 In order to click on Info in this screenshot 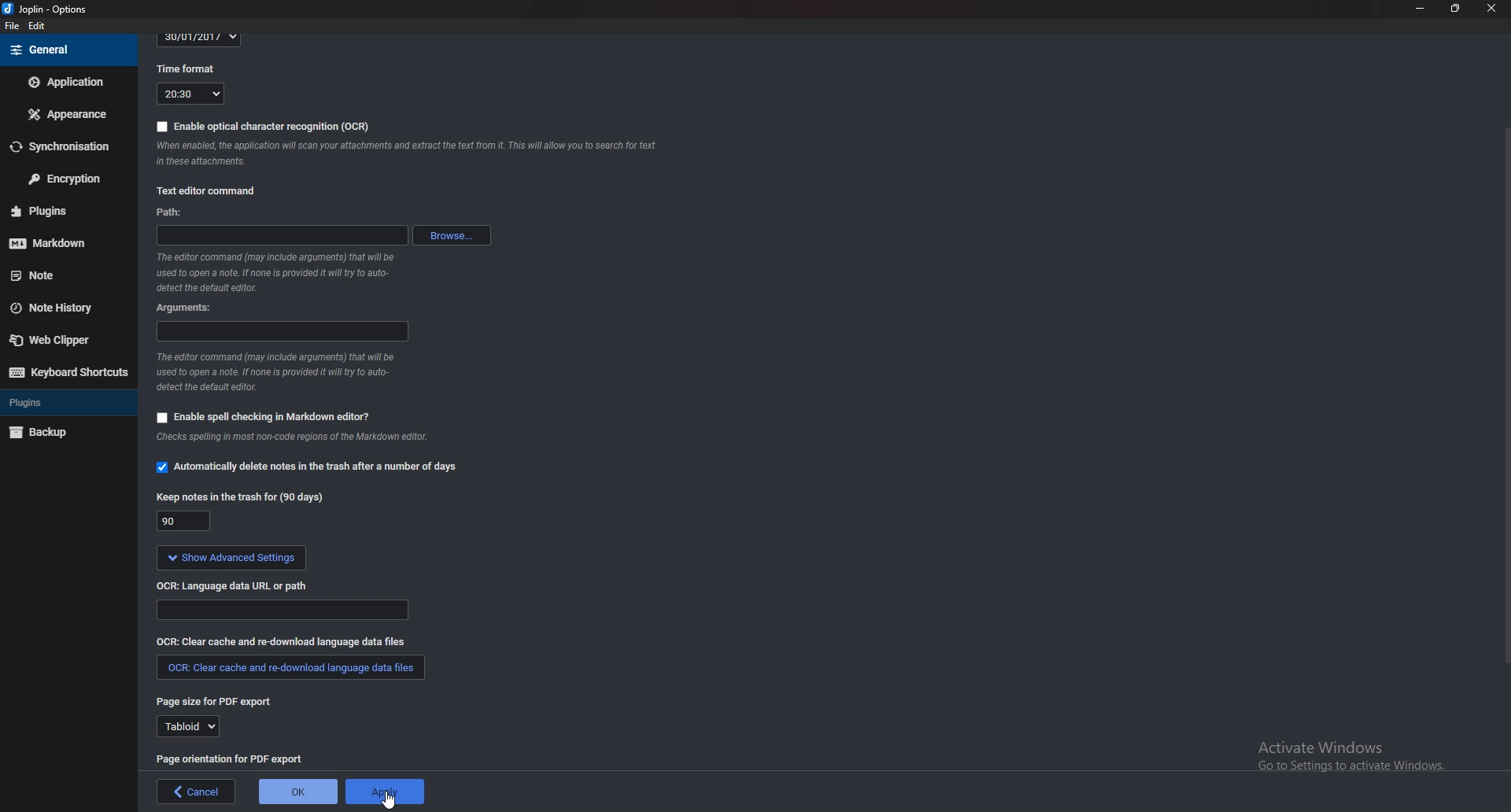, I will do `click(413, 156)`.